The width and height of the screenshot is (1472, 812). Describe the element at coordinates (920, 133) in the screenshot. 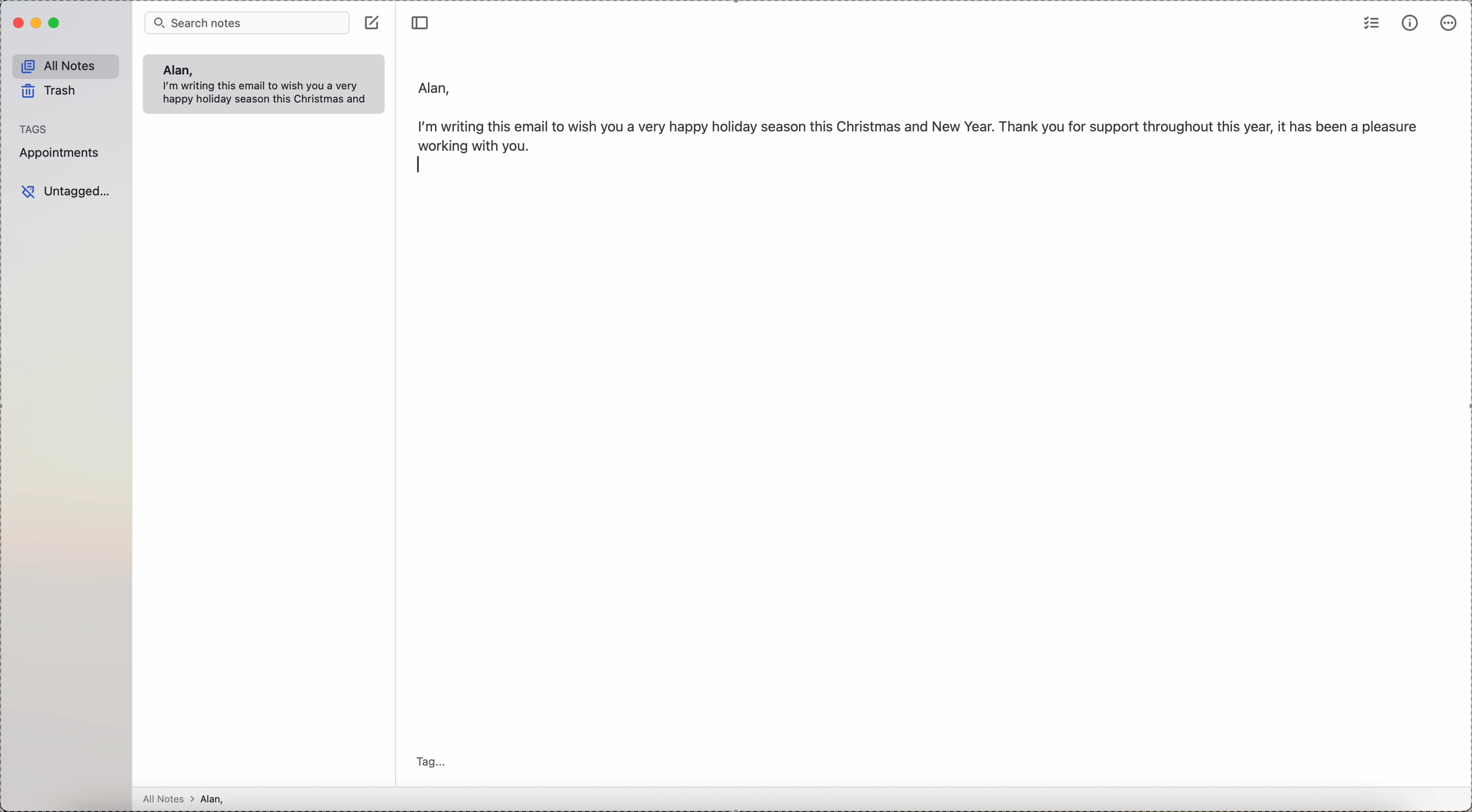

I see `body text: I'm writing this email to wish yo a very happy holiday season this Christmas and New Year. Thank you for support...` at that location.